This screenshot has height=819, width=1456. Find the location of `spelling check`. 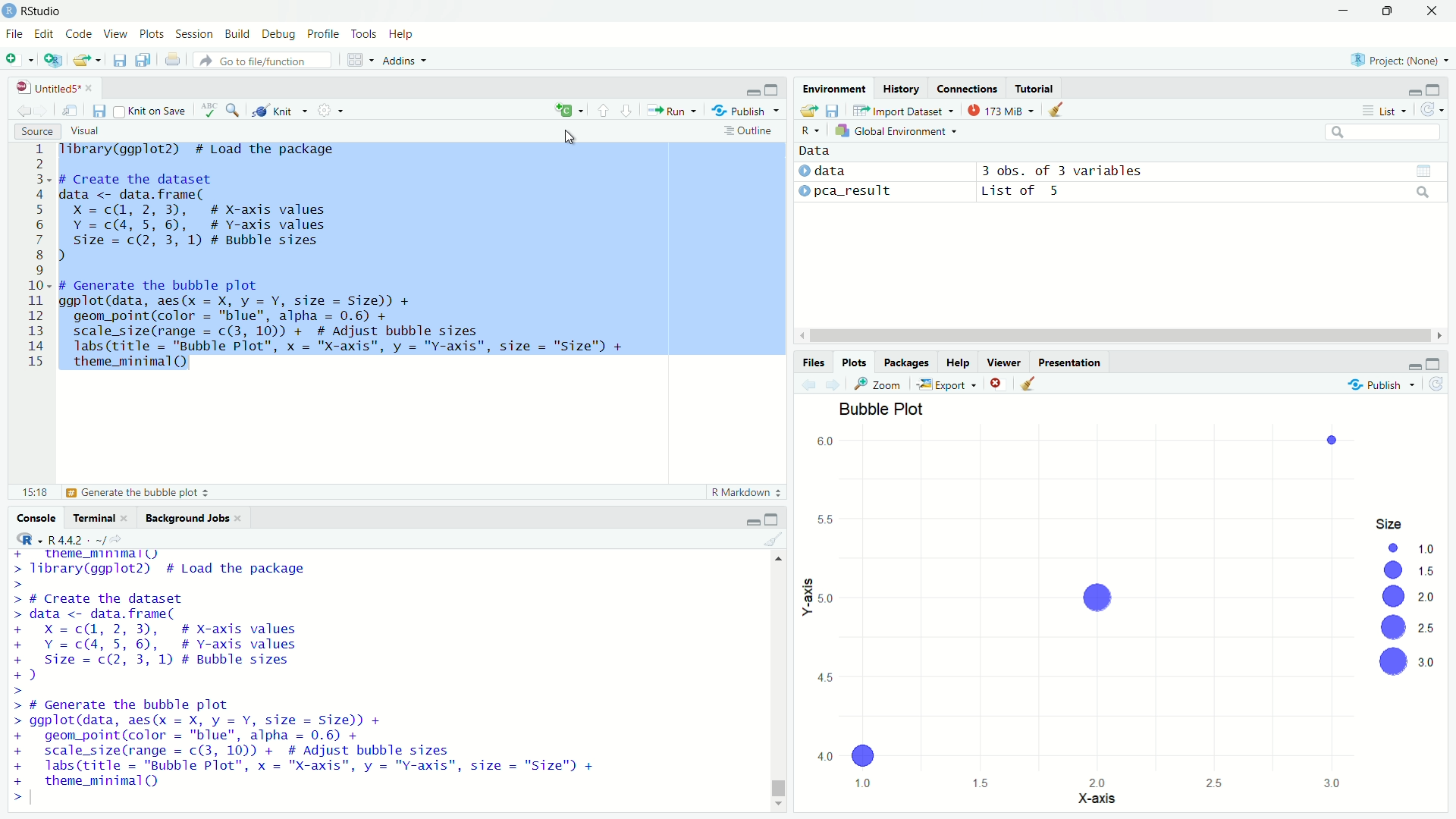

spelling check is located at coordinates (209, 110).